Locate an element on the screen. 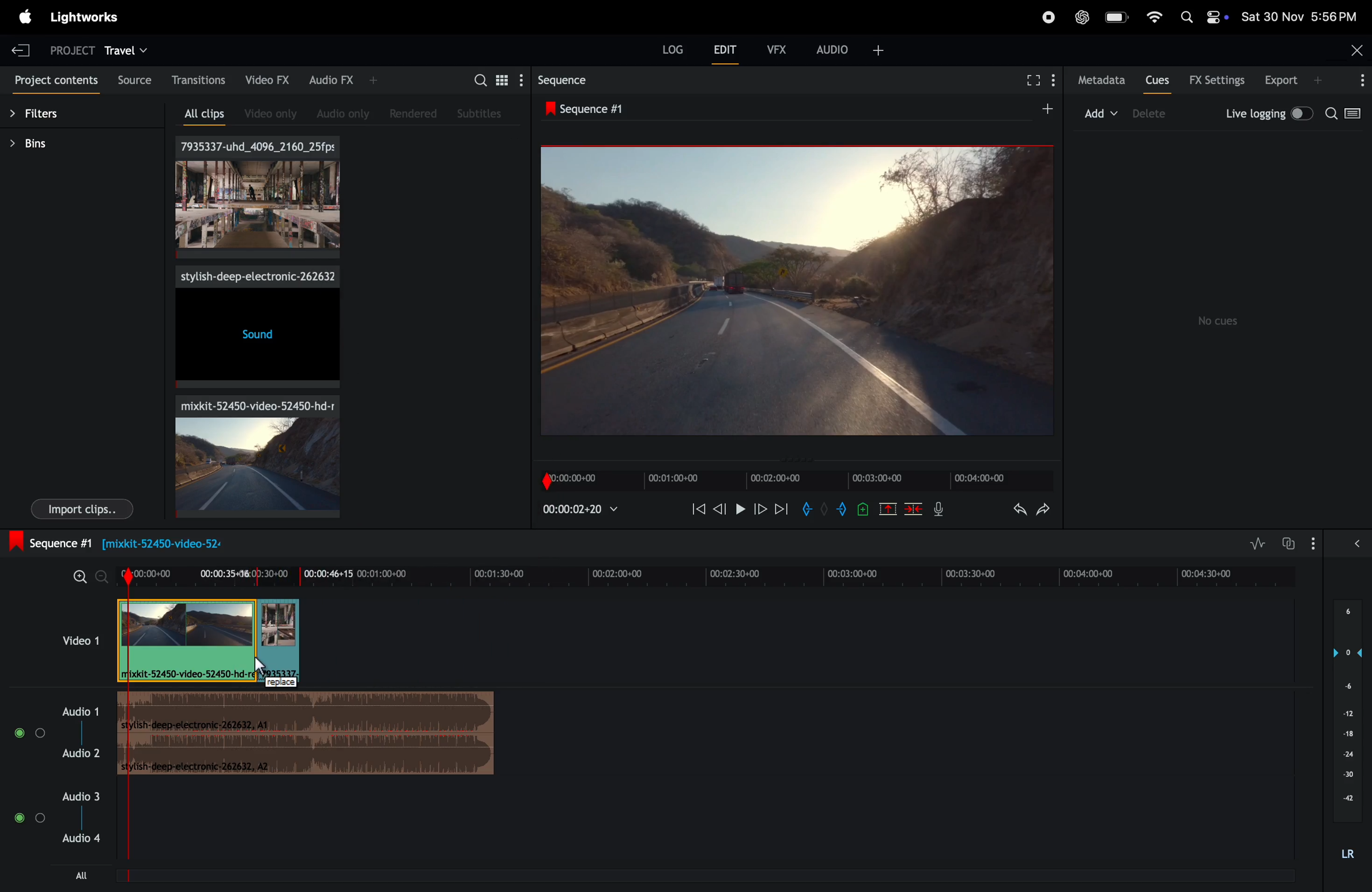 Image resolution: width=1372 pixels, height=892 pixels. filters is located at coordinates (45, 116).